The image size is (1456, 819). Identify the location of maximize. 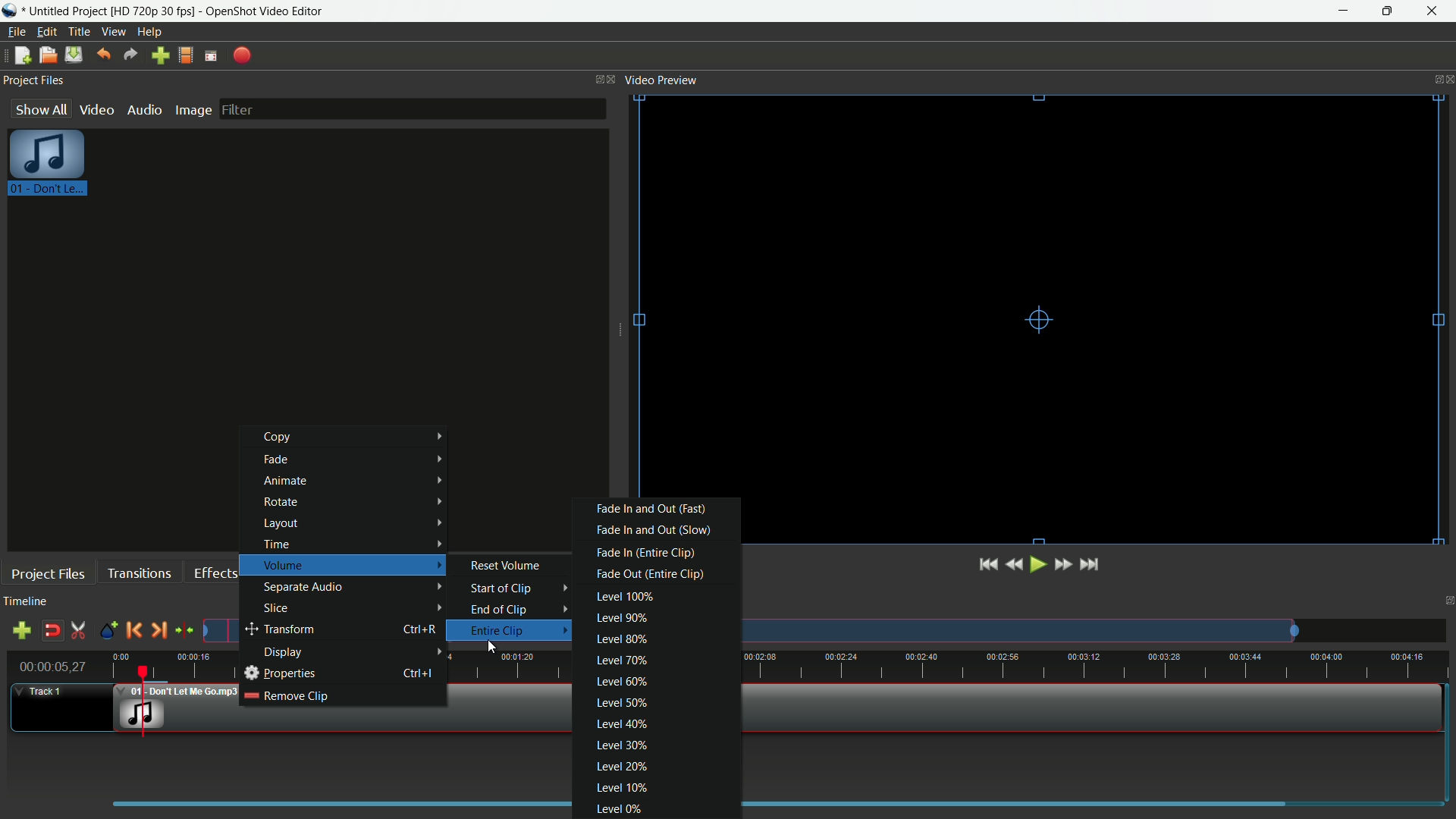
(1390, 11).